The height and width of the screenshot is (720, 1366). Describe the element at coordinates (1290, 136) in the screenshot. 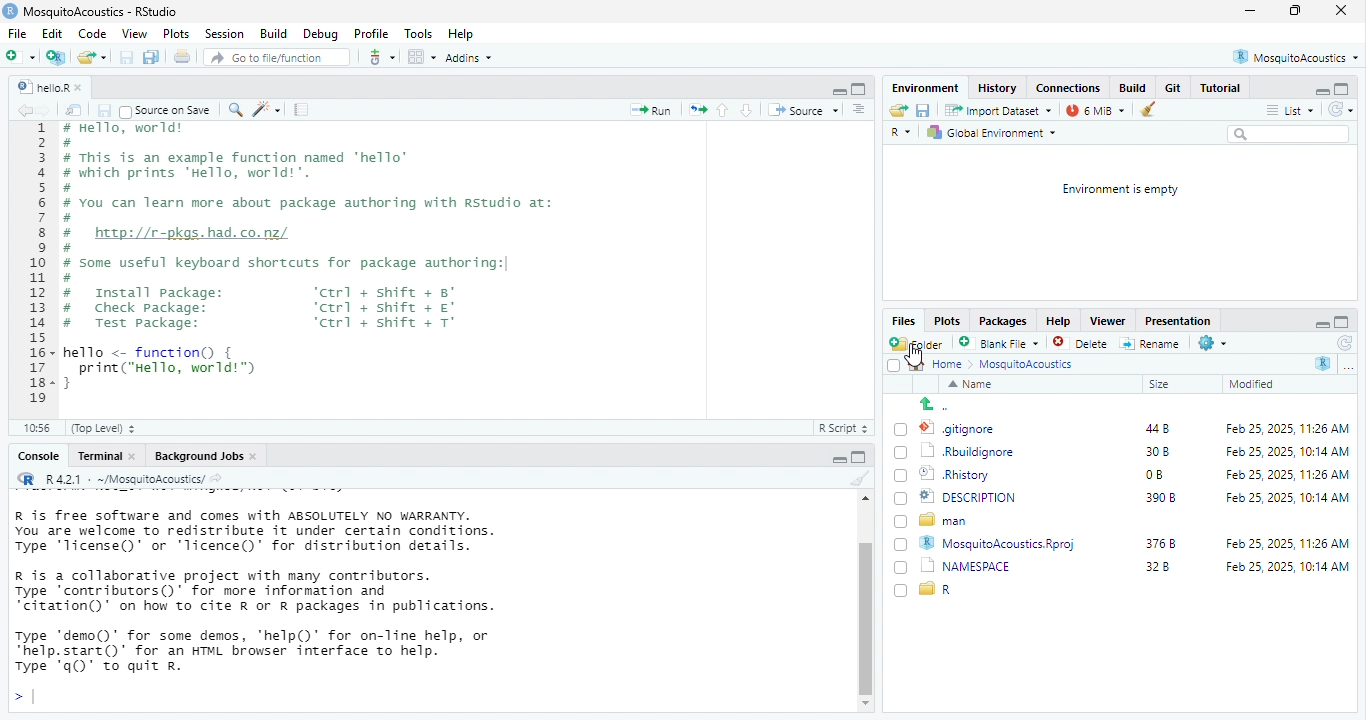

I see `search bar` at that location.